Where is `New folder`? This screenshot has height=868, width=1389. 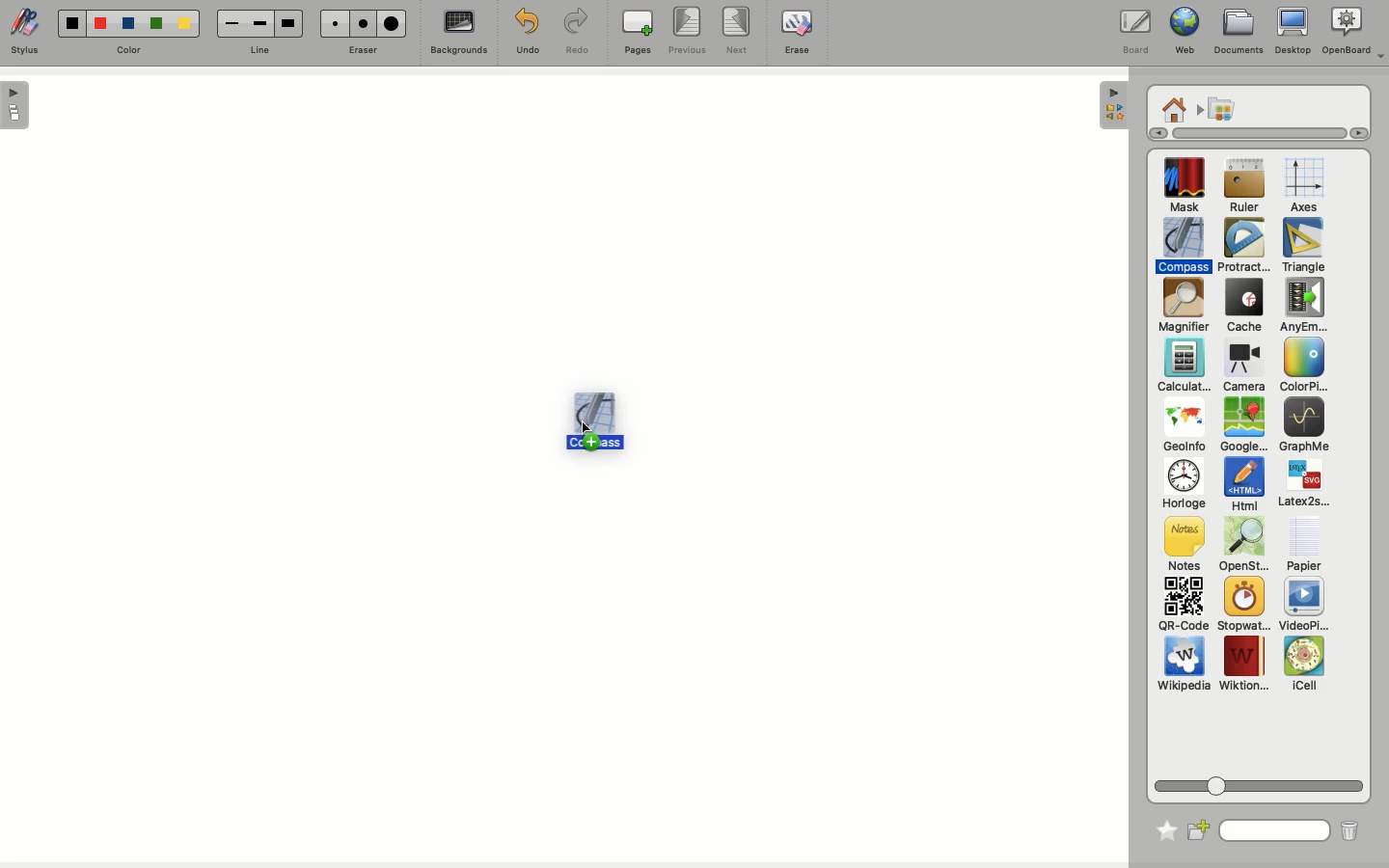
New folder is located at coordinates (1200, 828).